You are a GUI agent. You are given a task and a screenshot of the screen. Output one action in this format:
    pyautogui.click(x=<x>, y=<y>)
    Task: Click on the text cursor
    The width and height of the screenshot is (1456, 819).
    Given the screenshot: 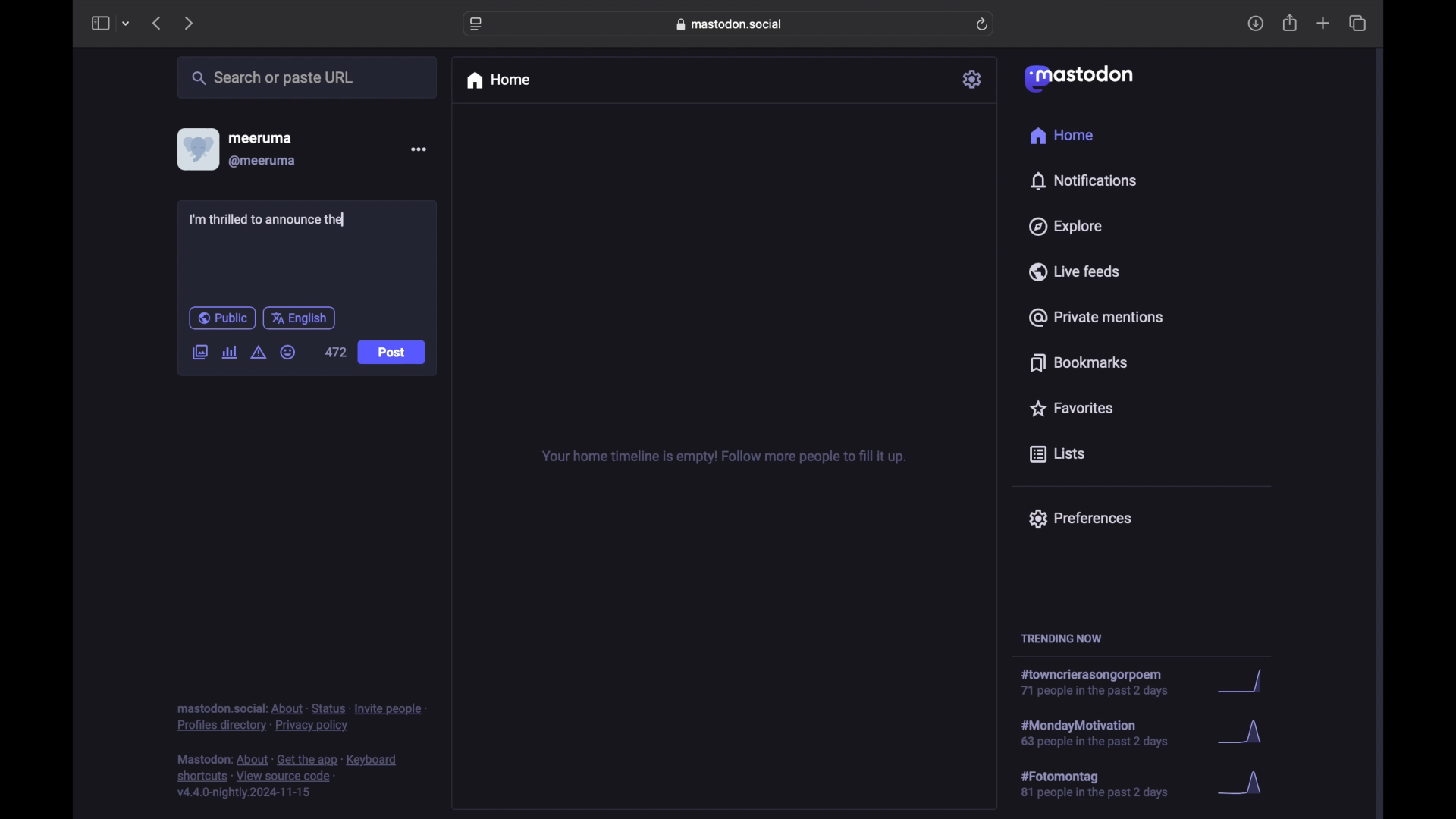 What is the action you would take?
    pyautogui.click(x=346, y=218)
    